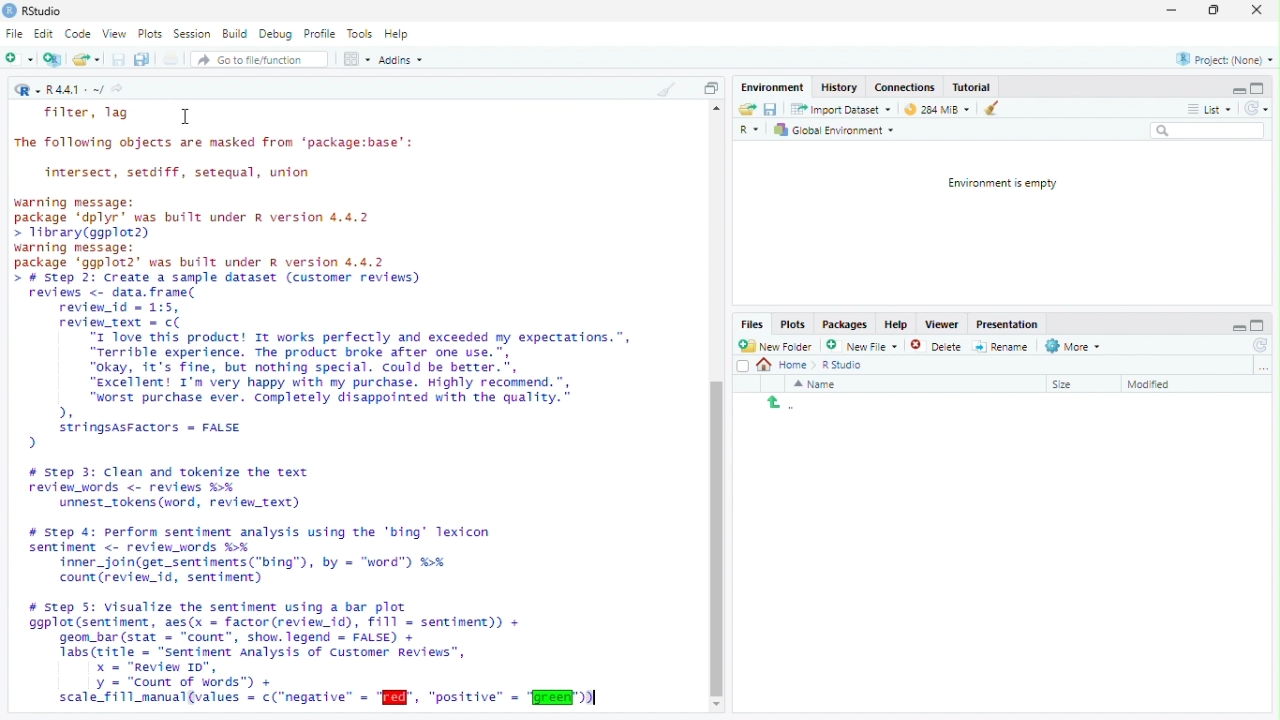 This screenshot has width=1280, height=720. What do you see at coordinates (114, 34) in the screenshot?
I see `View` at bounding box center [114, 34].